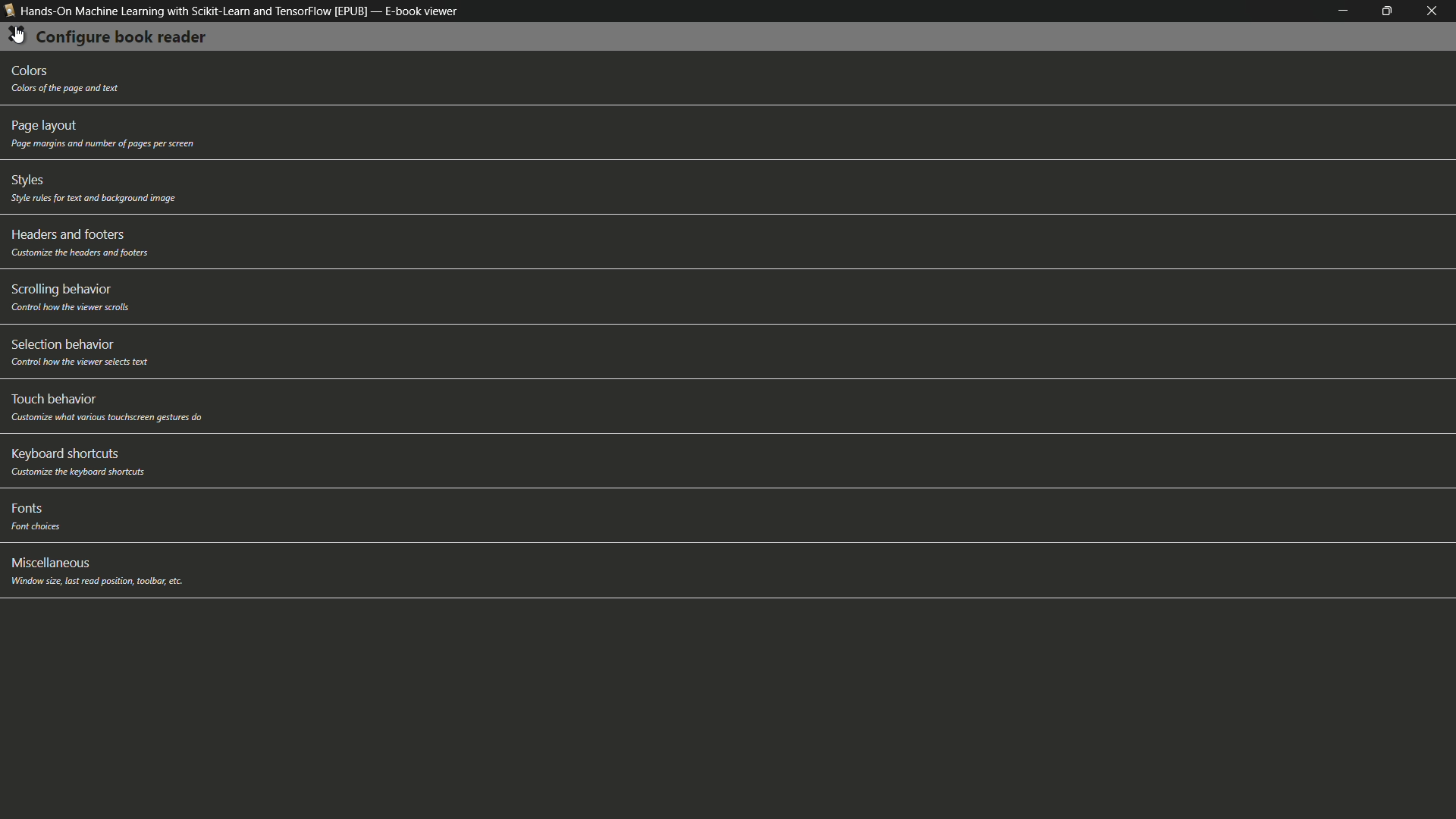 This screenshot has width=1456, height=819. Describe the element at coordinates (107, 419) in the screenshot. I see `text` at that location.